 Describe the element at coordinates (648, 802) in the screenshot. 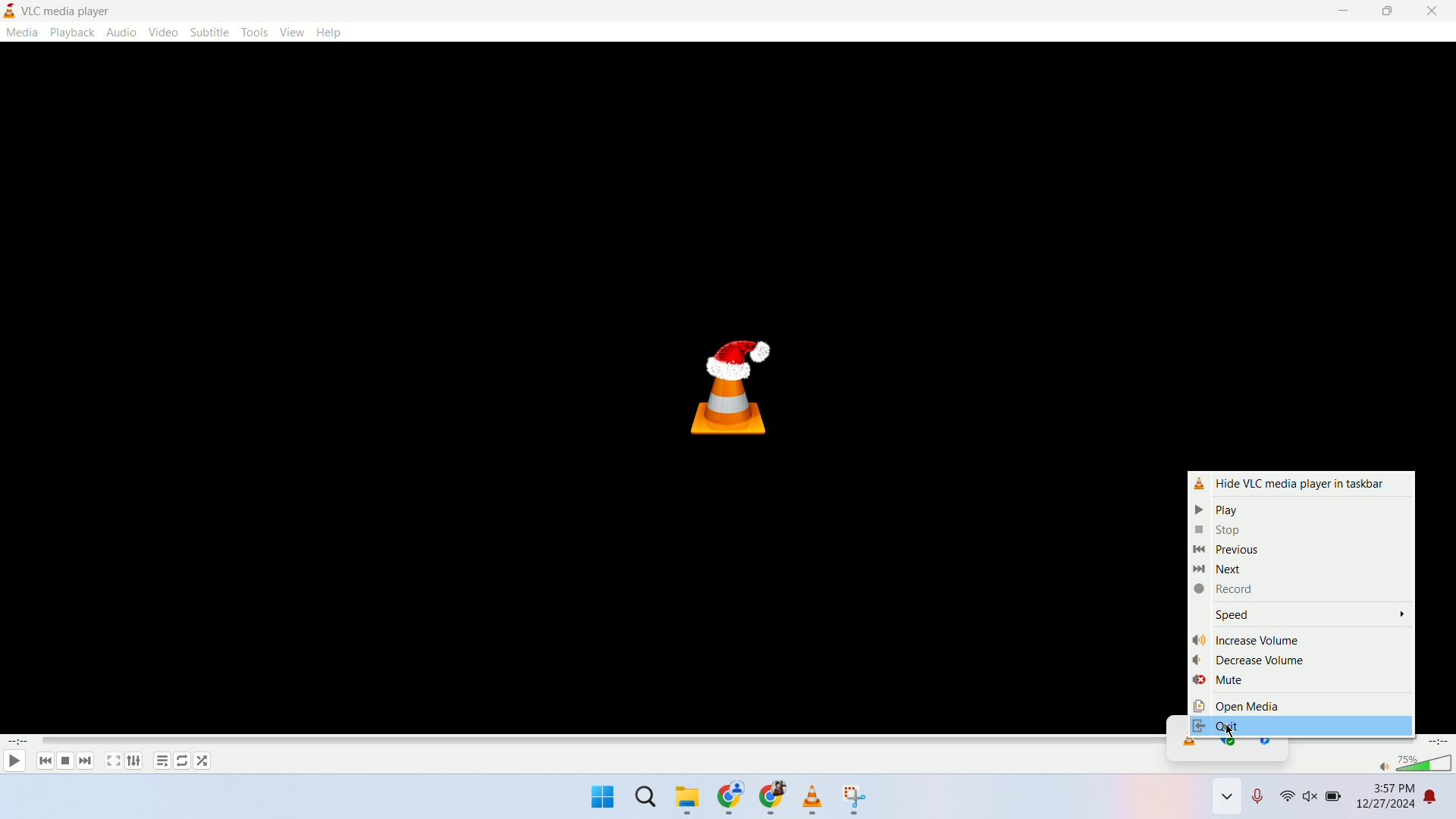

I see `search` at that location.